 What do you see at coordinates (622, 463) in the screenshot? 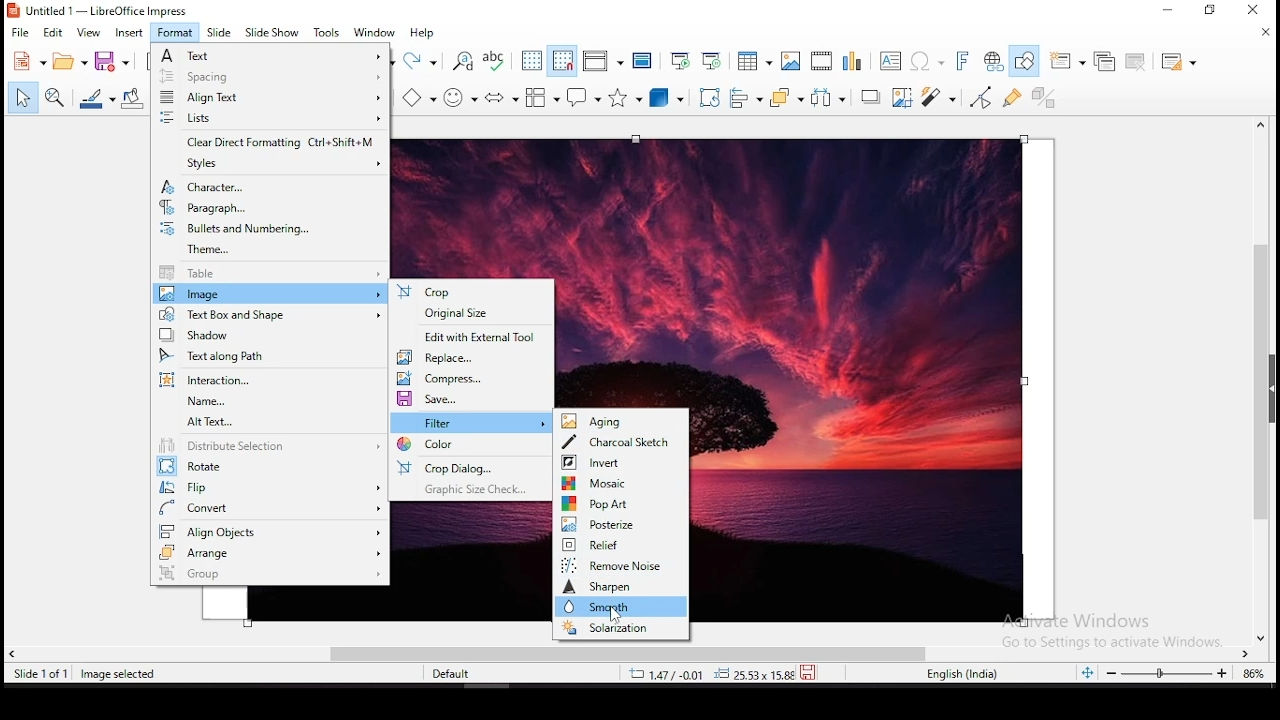
I see `invert` at bounding box center [622, 463].